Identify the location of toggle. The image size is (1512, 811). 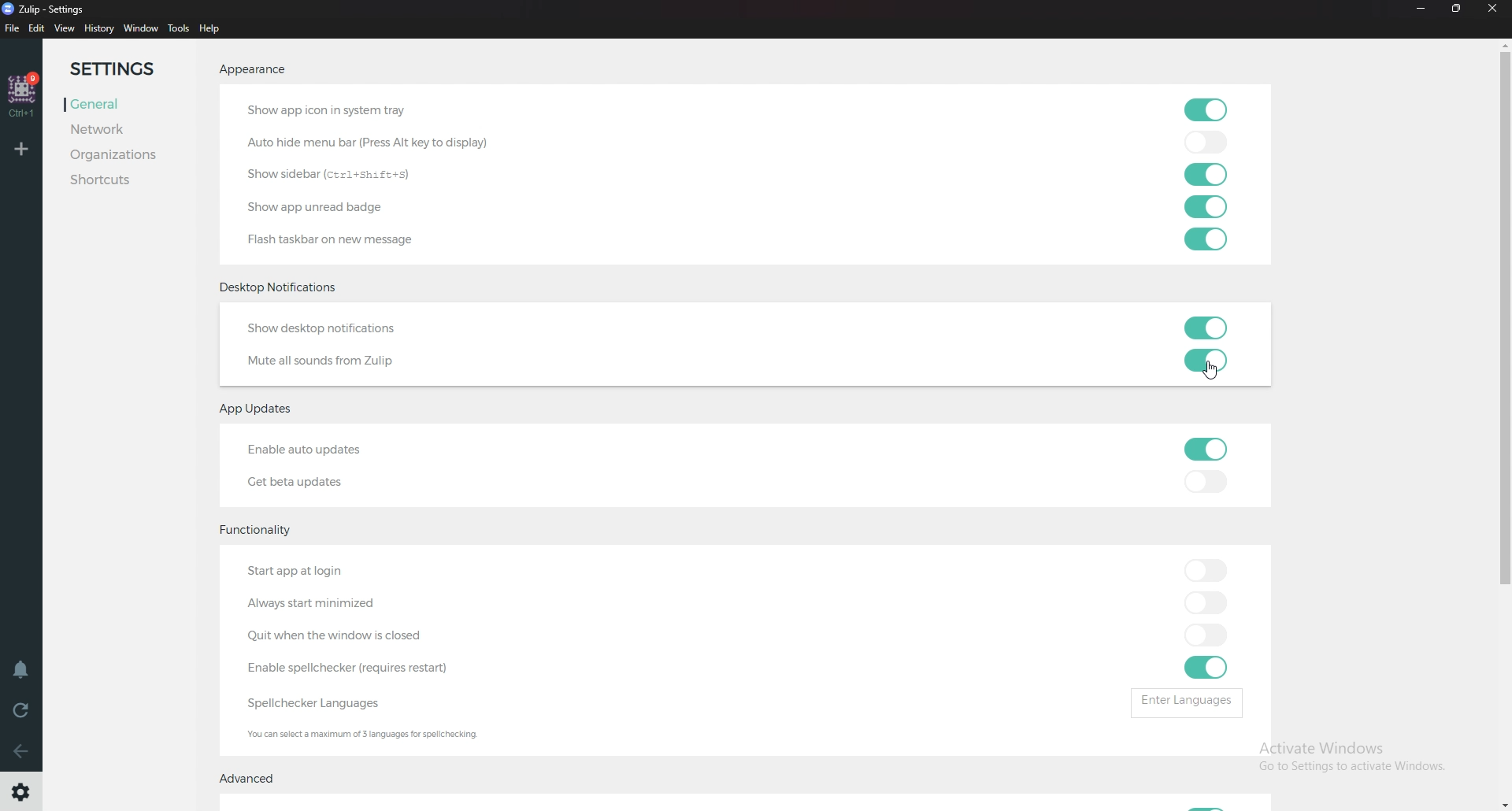
(1203, 108).